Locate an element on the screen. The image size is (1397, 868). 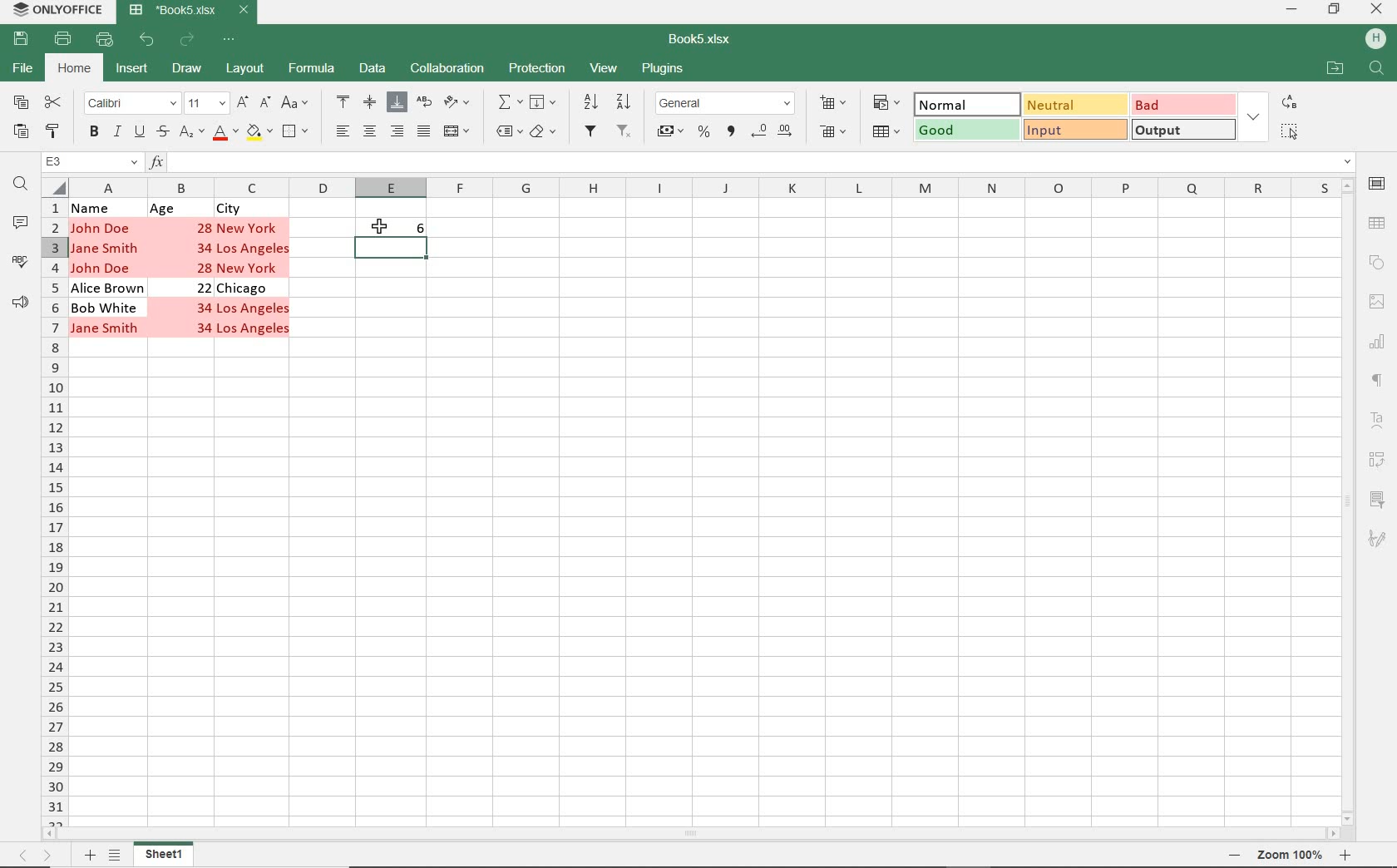
BOLD is located at coordinates (93, 133).